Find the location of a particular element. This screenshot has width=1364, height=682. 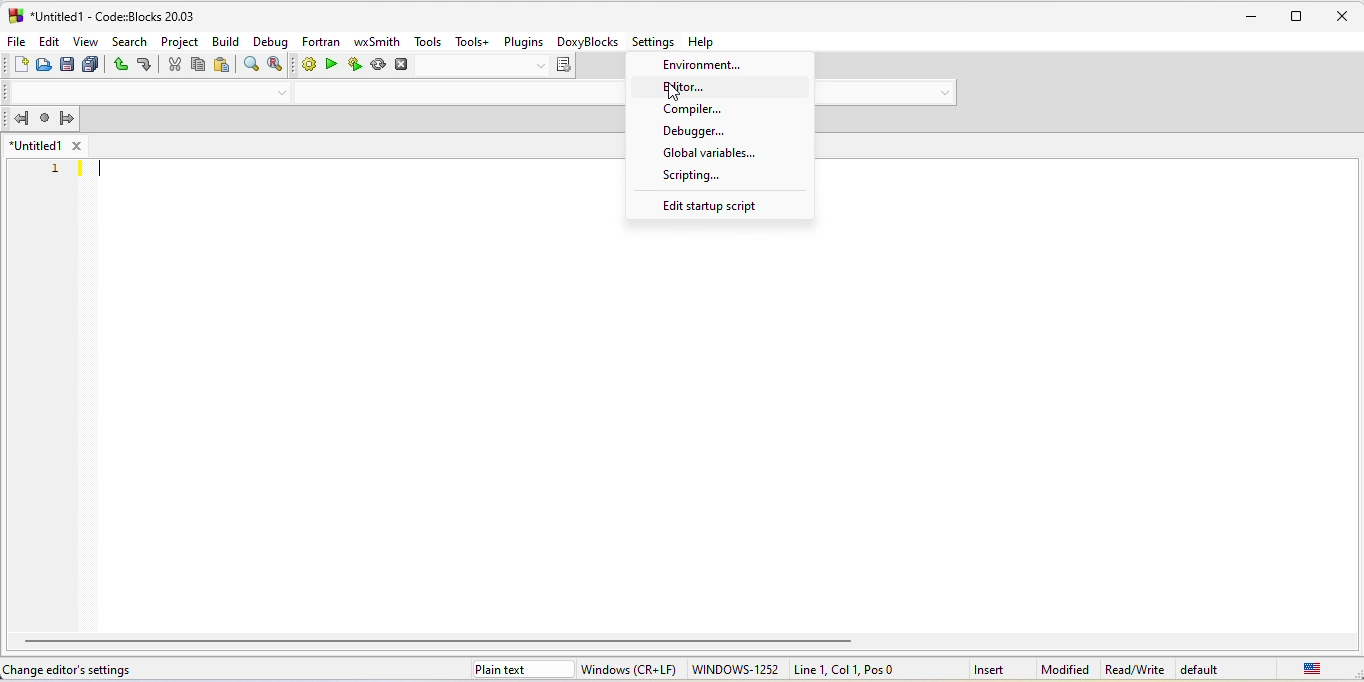

open is located at coordinates (43, 65).